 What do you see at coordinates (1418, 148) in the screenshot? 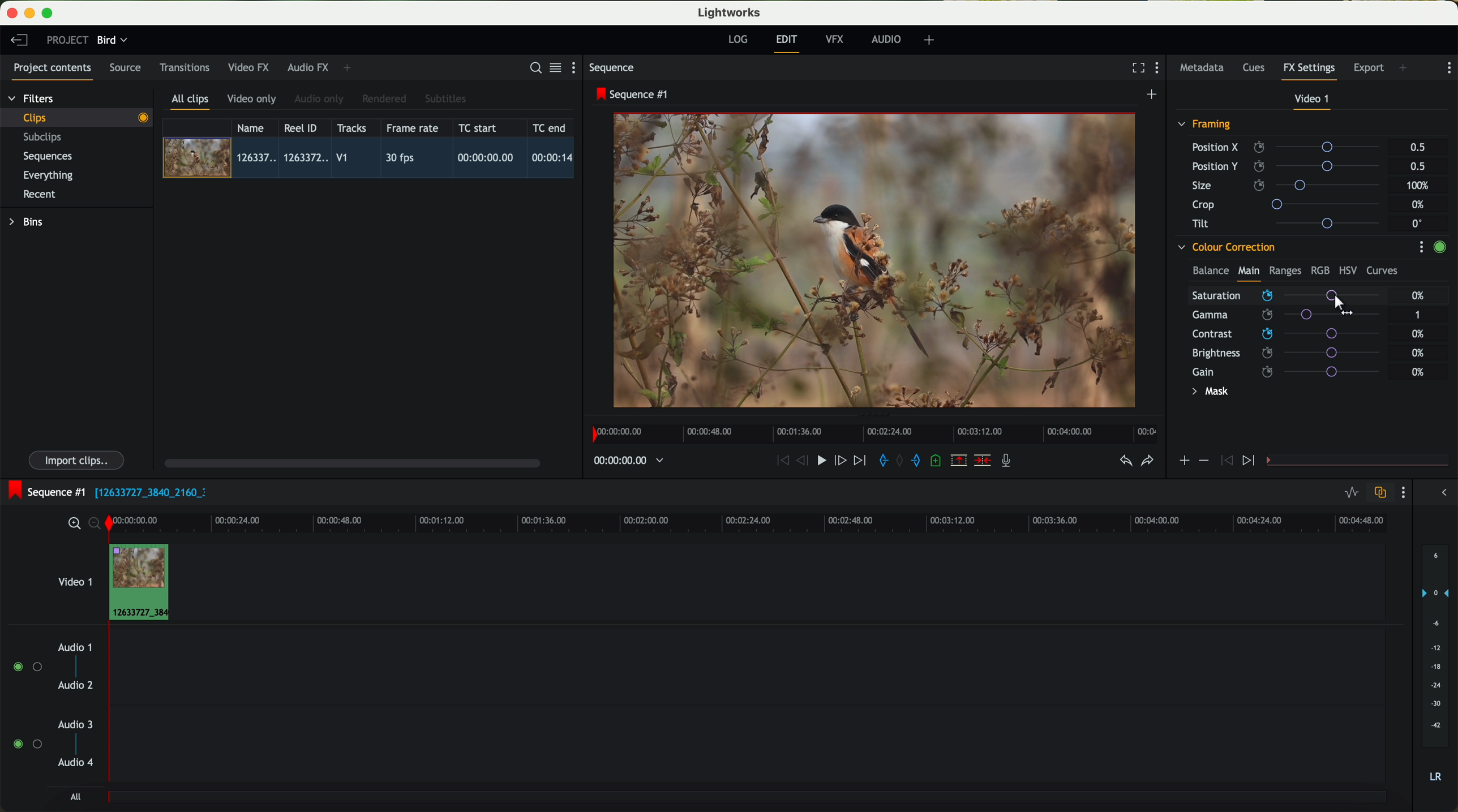
I see `0.5` at bounding box center [1418, 148].